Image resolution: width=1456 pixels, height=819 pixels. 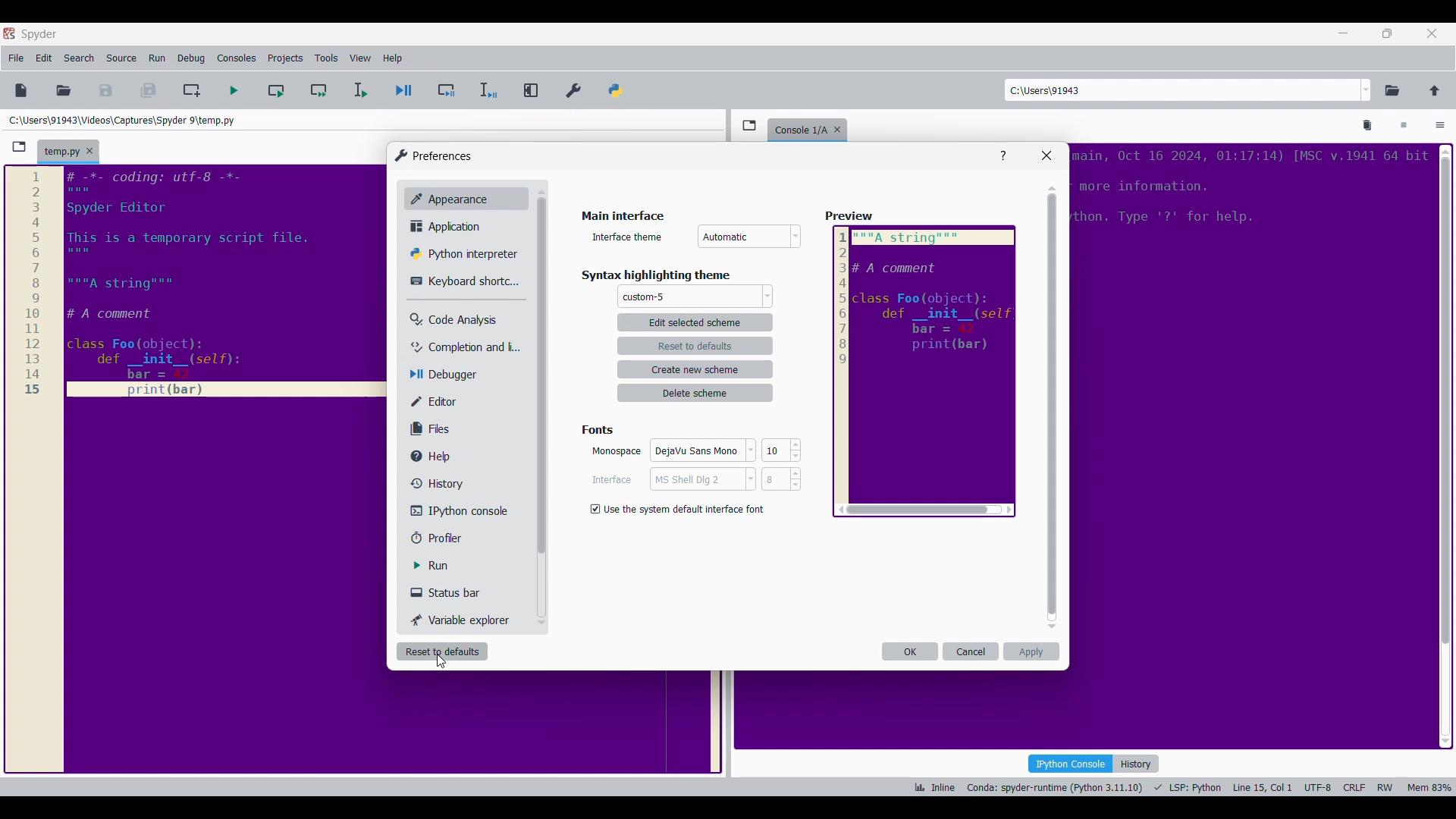 I want to click on Edit selected scheme, so click(x=695, y=323).